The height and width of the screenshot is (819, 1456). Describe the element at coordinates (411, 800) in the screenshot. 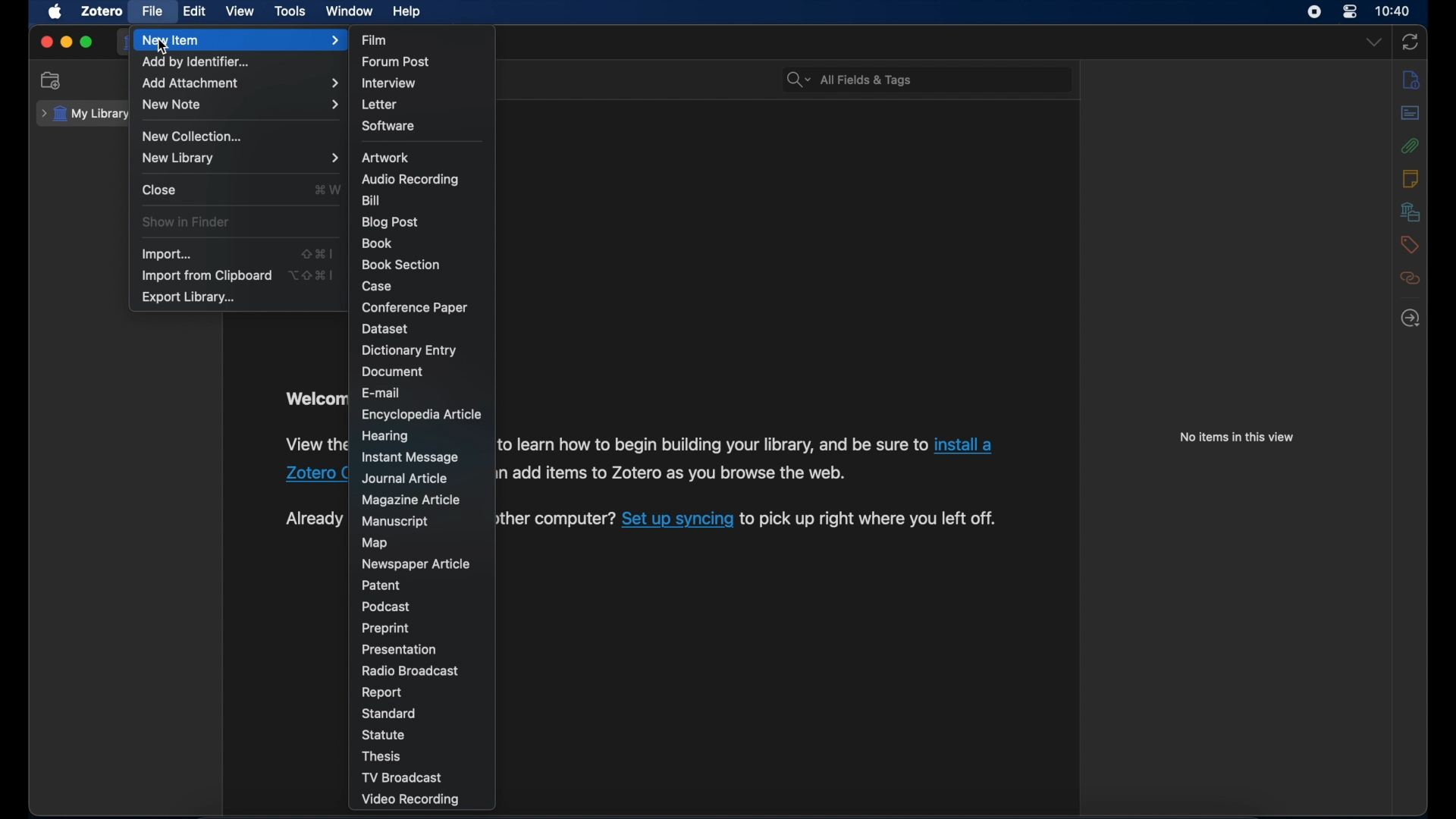

I see `video recording` at that location.